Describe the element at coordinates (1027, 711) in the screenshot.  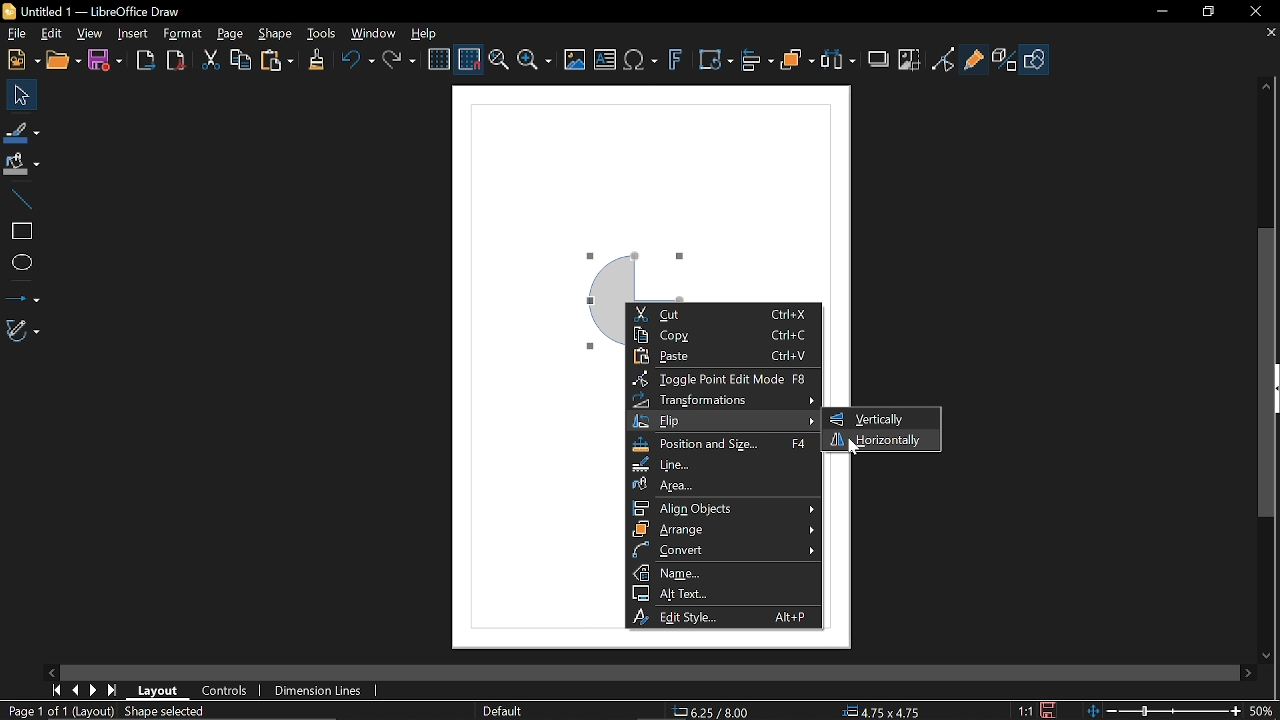
I see `1:1 (Scaling factor)` at that location.